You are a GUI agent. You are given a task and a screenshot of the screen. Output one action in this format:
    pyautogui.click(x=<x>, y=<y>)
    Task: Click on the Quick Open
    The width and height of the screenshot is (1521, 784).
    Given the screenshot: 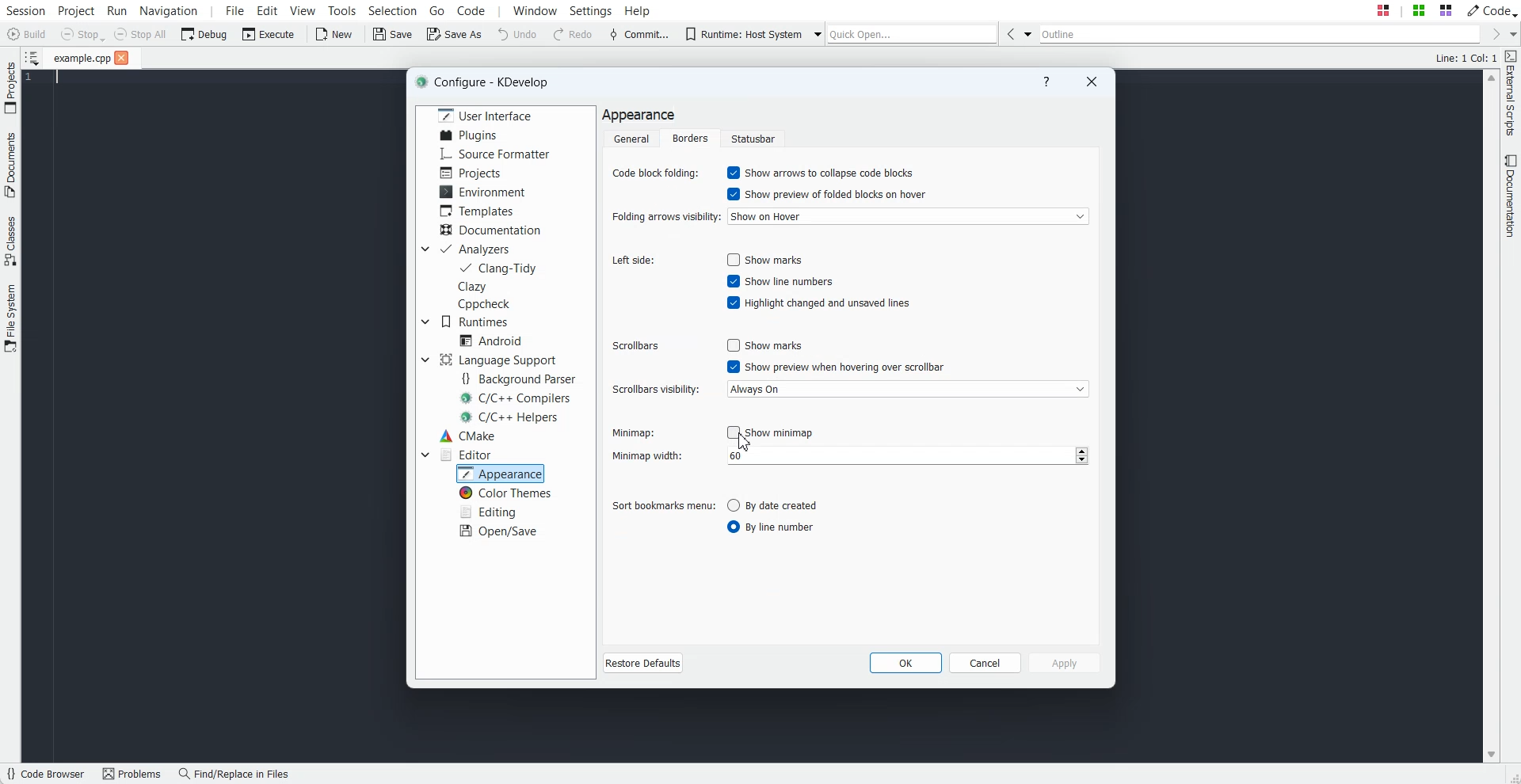 What is the action you would take?
    pyautogui.click(x=913, y=33)
    